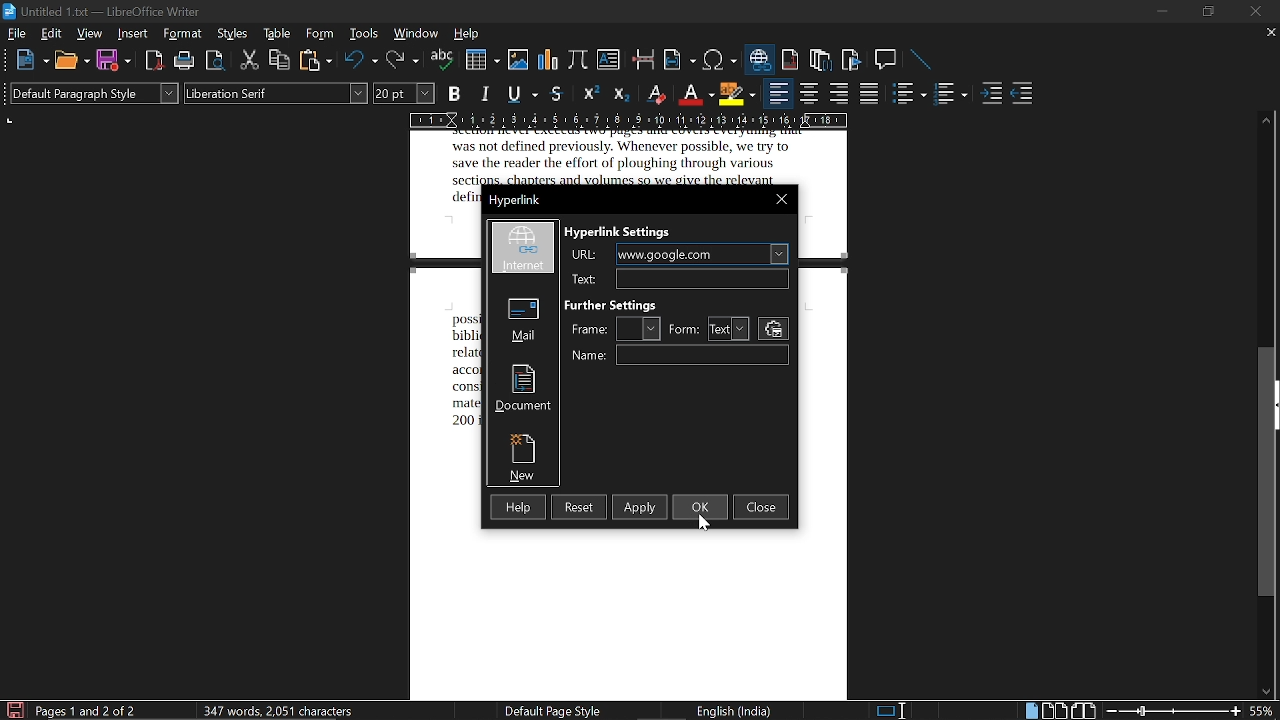 The image size is (1280, 720). I want to click on view, so click(90, 33).